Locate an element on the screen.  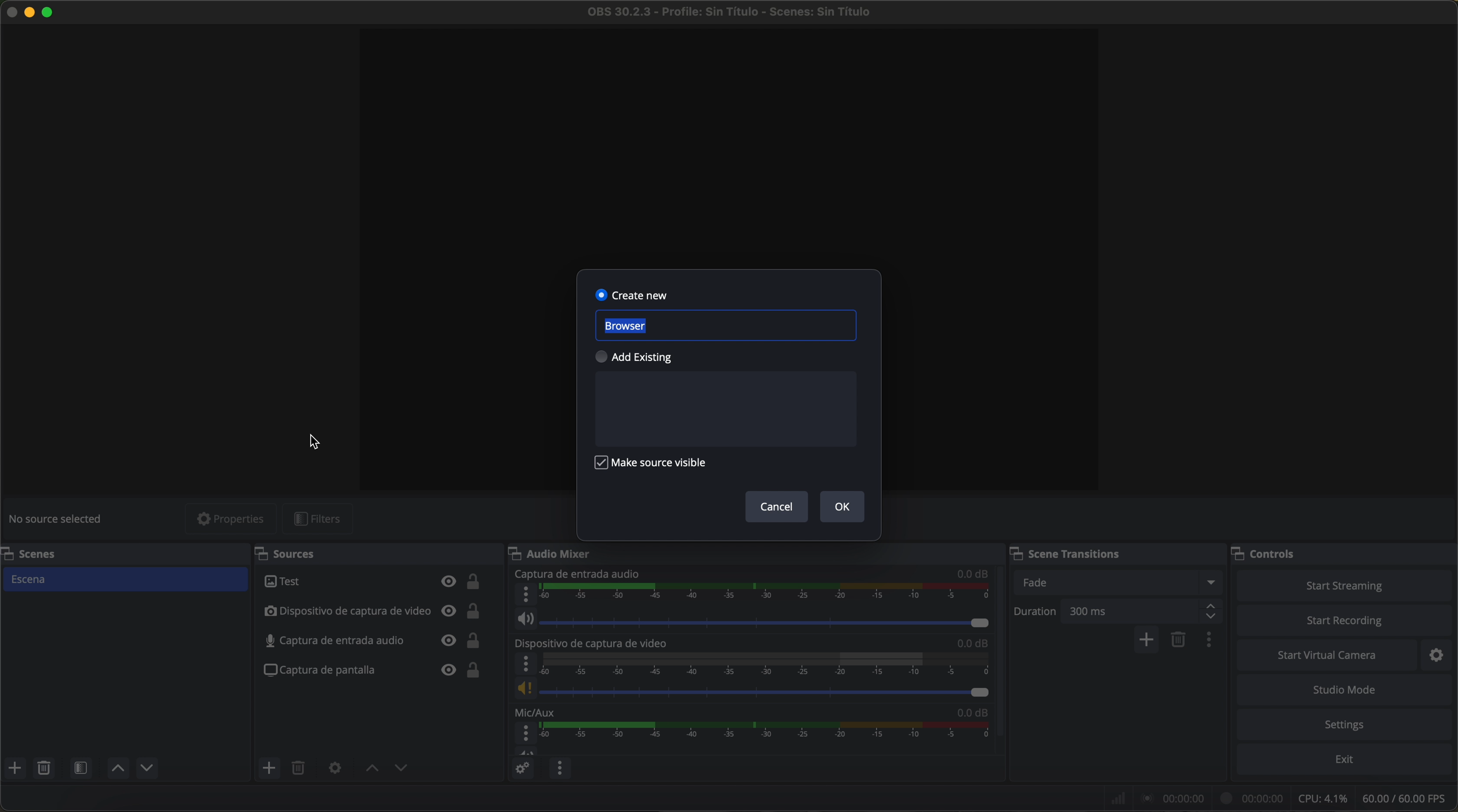
more options is located at coordinates (524, 595).